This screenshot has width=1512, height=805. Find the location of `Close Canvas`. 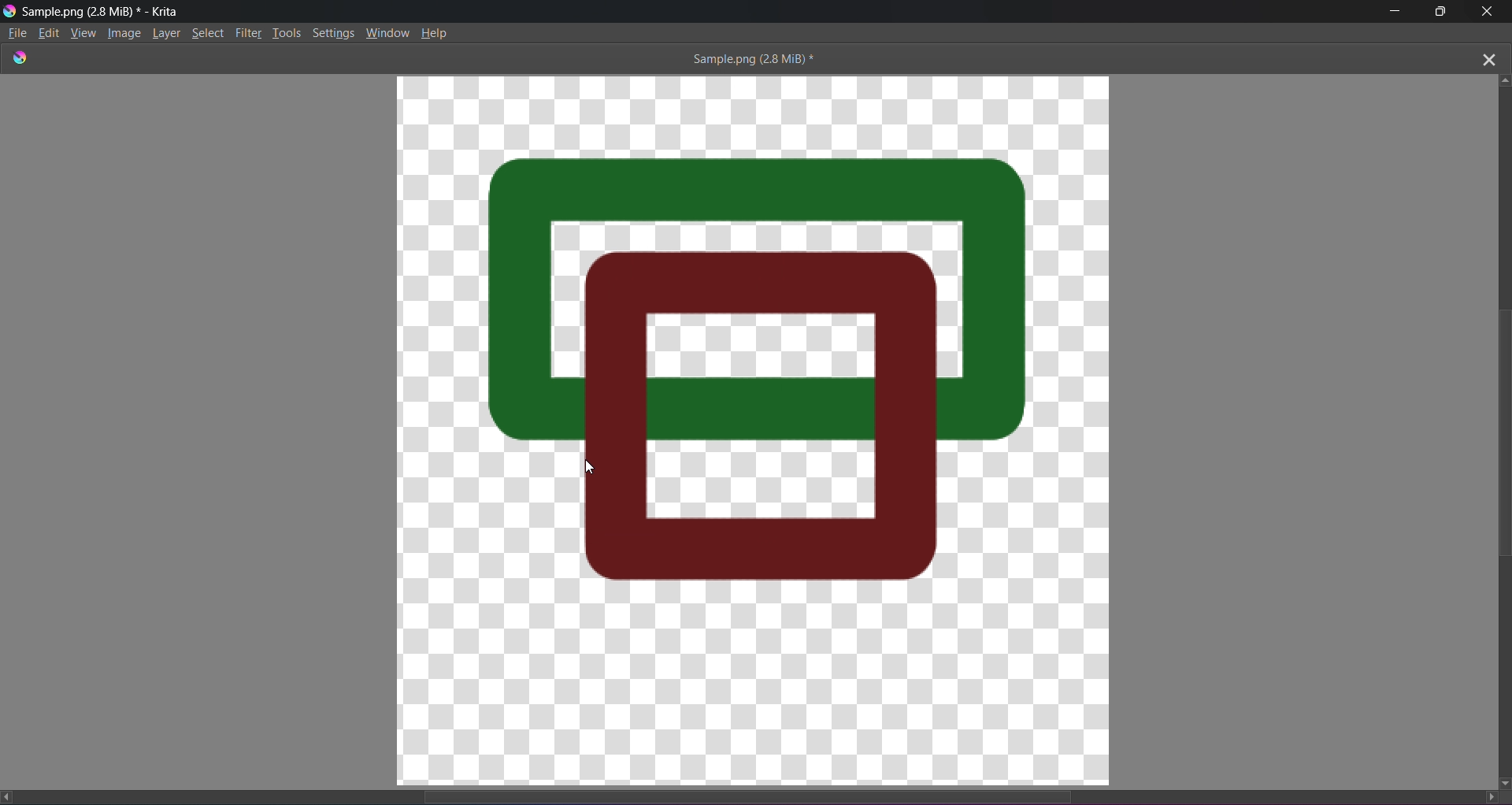

Close Canvas is located at coordinates (1488, 57).